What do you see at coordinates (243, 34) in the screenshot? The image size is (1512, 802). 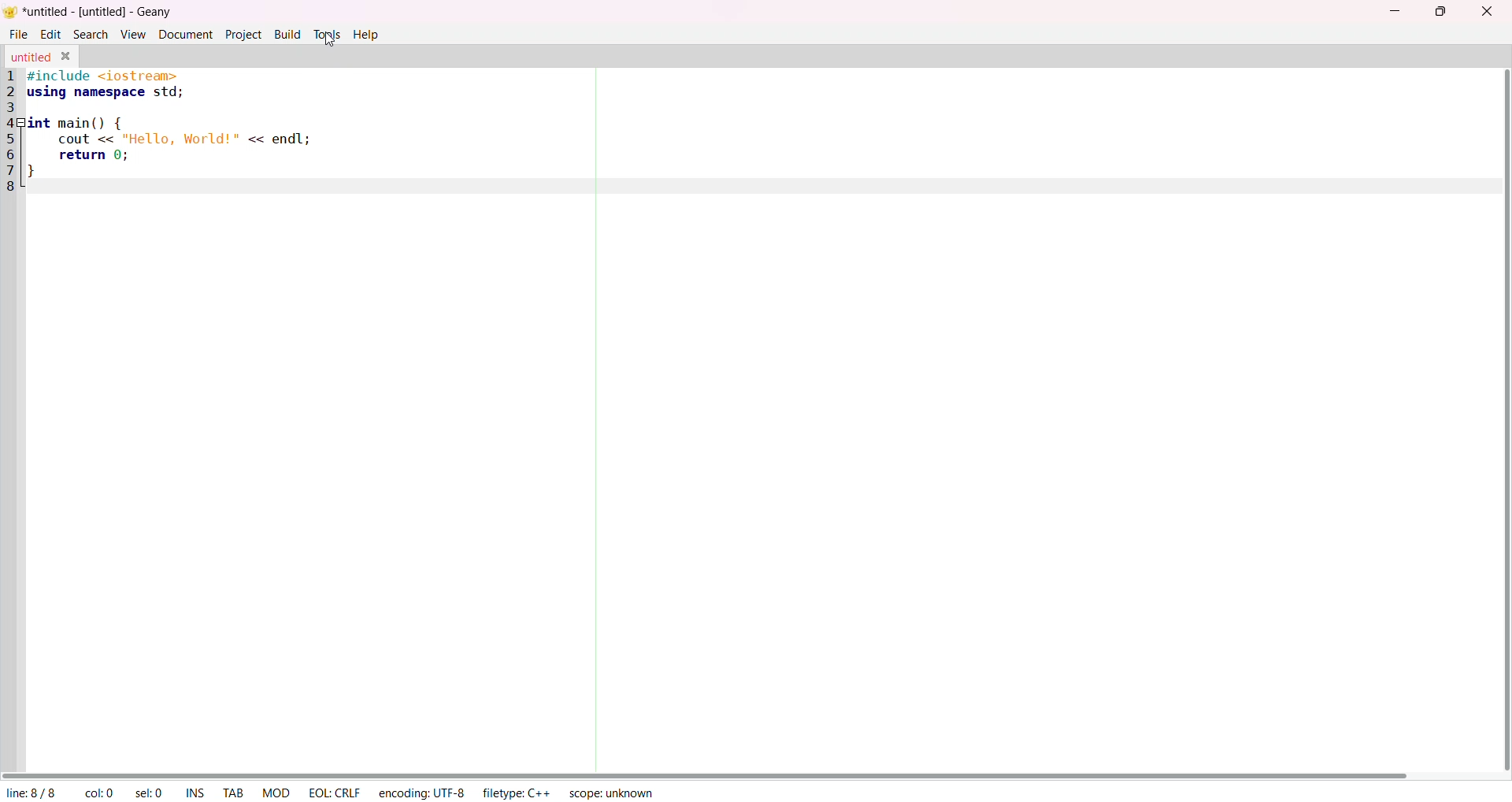 I see `Project` at bounding box center [243, 34].